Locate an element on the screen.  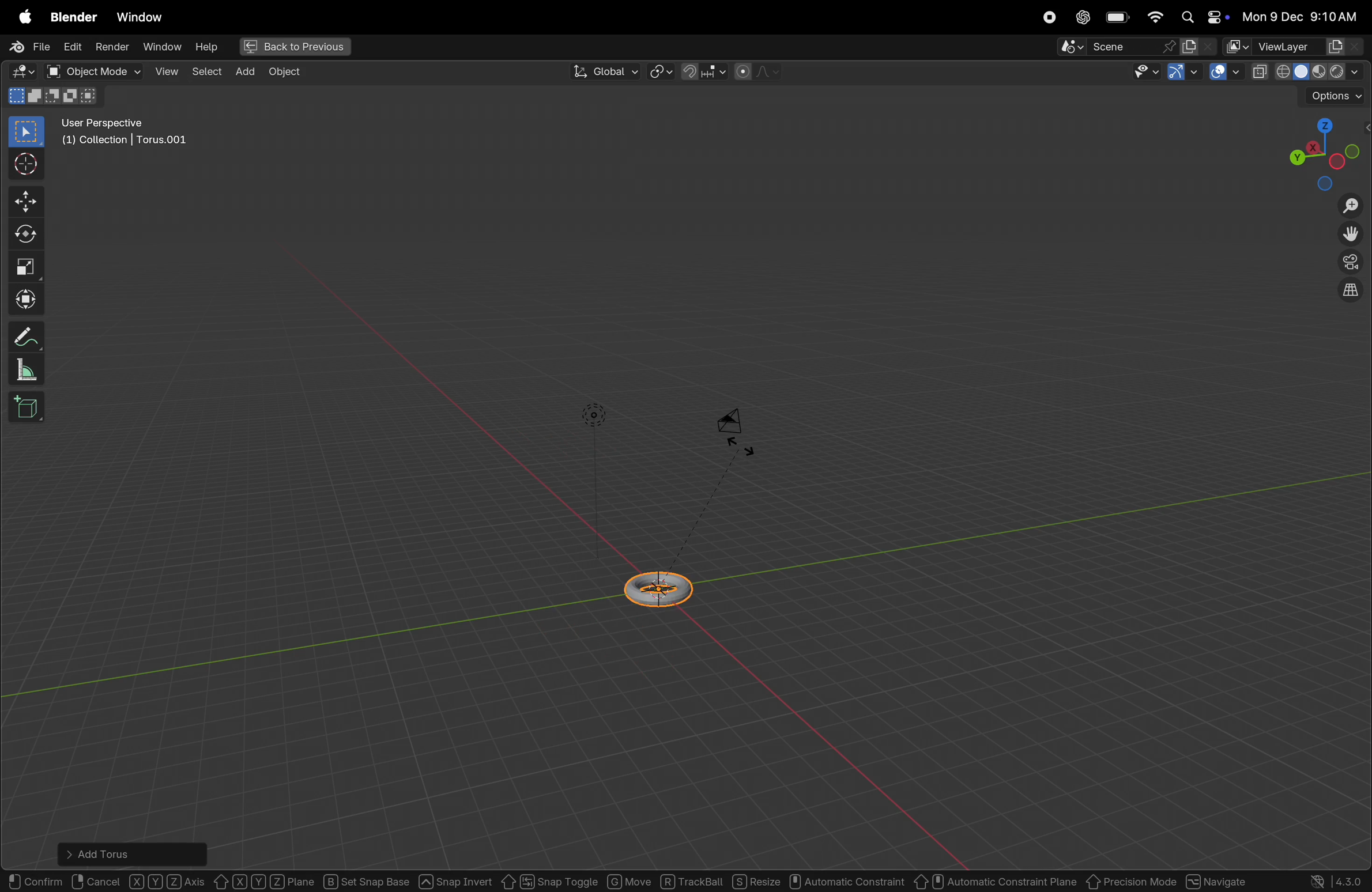
global is located at coordinates (602, 72).